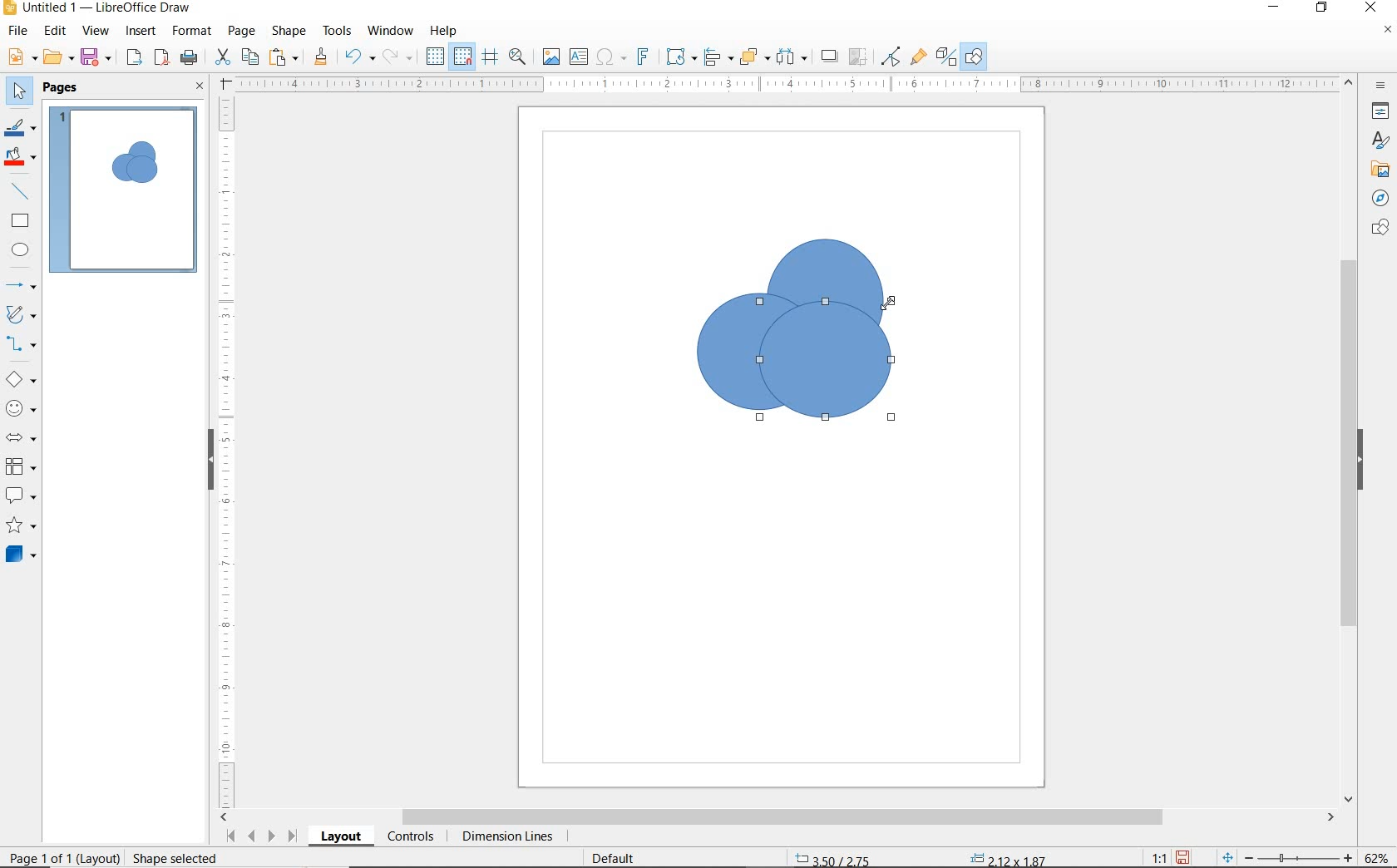 This screenshot has height=868, width=1397. I want to click on RULER, so click(788, 85).